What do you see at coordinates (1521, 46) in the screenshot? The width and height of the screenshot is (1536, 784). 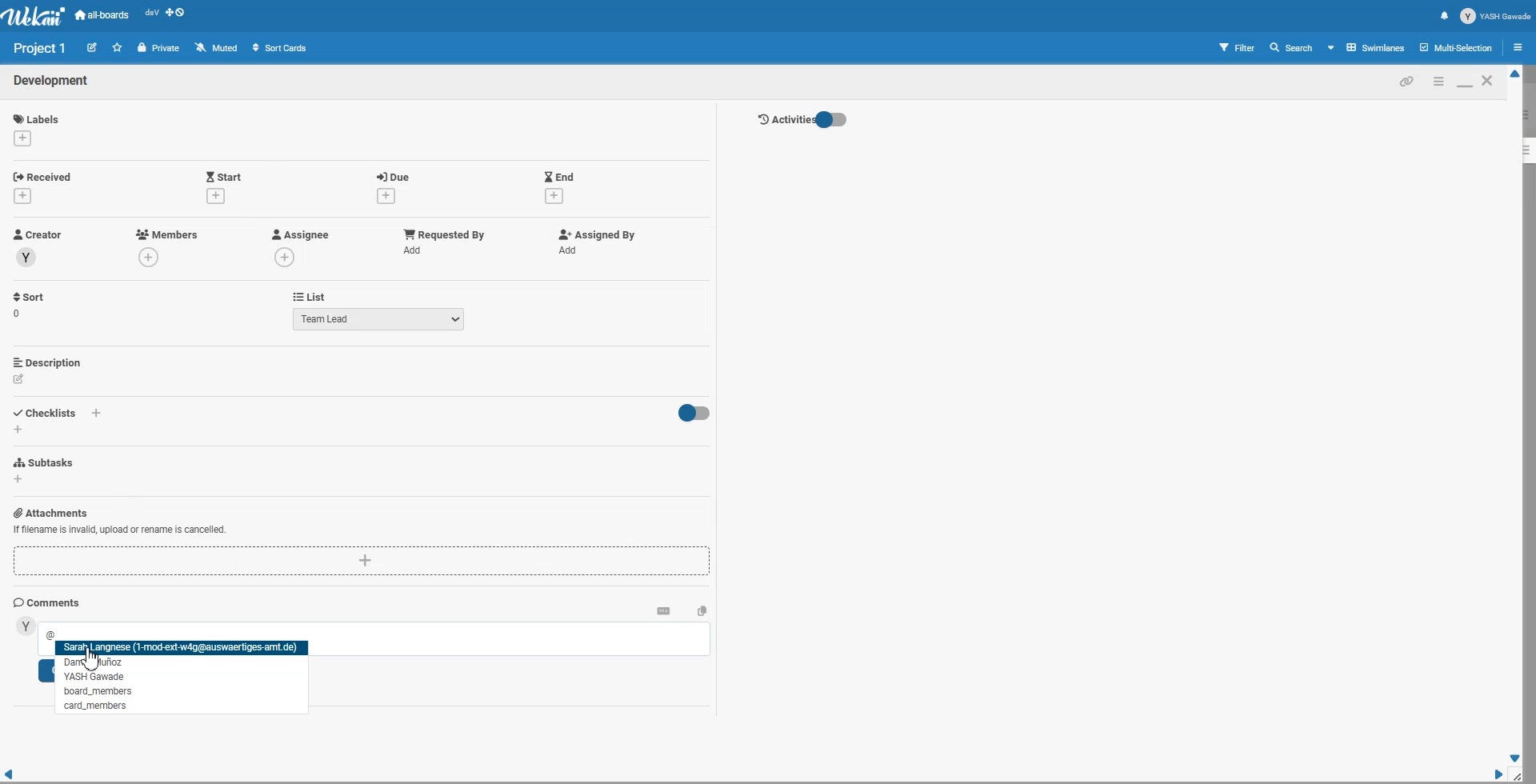 I see `Open sidebar` at bounding box center [1521, 46].